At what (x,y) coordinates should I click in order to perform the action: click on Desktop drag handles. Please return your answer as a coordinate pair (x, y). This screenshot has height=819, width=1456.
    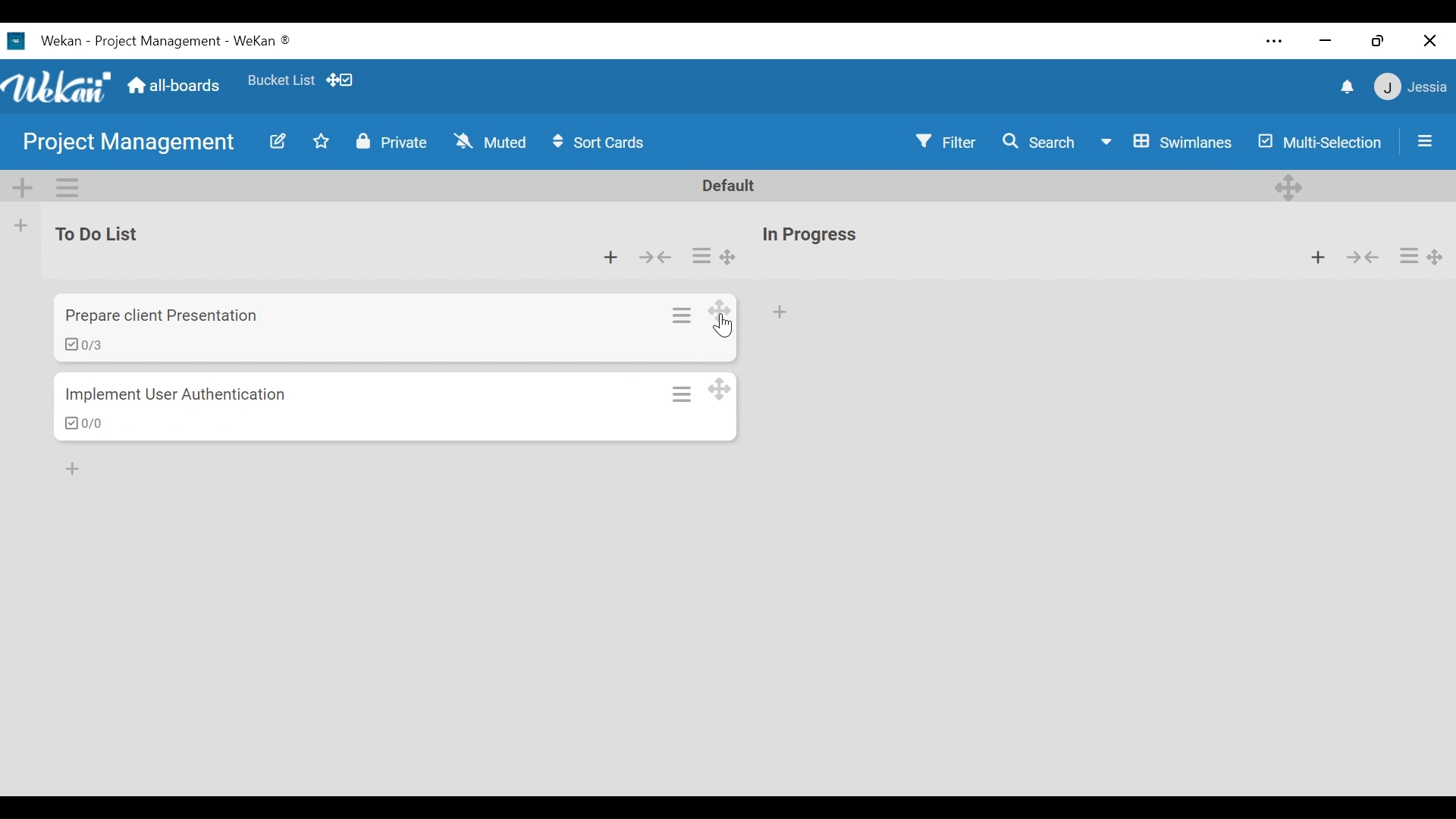
    Looking at the image, I should click on (720, 388).